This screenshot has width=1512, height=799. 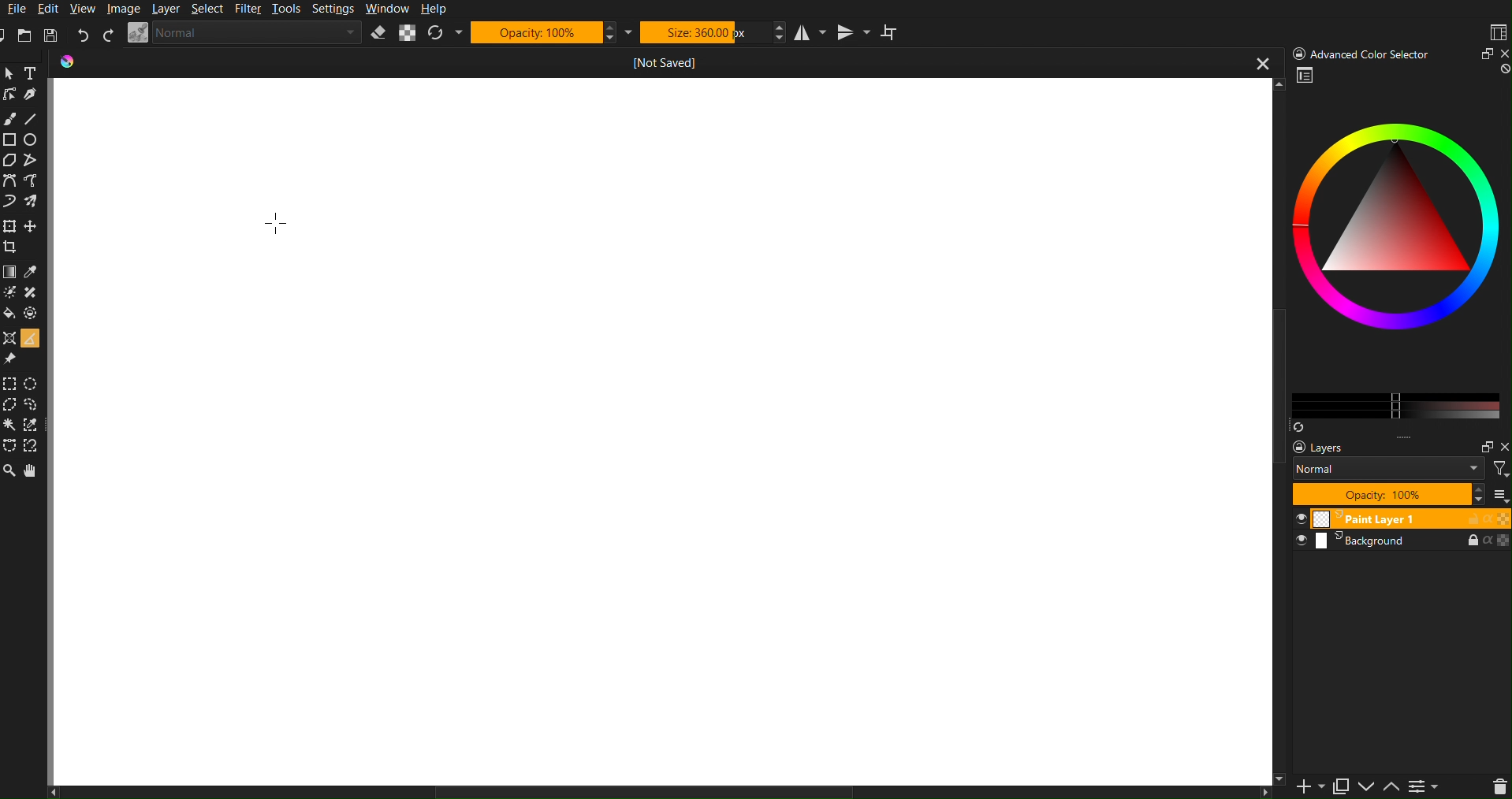 I want to click on Advanced Color Selector, so click(x=1398, y=53).